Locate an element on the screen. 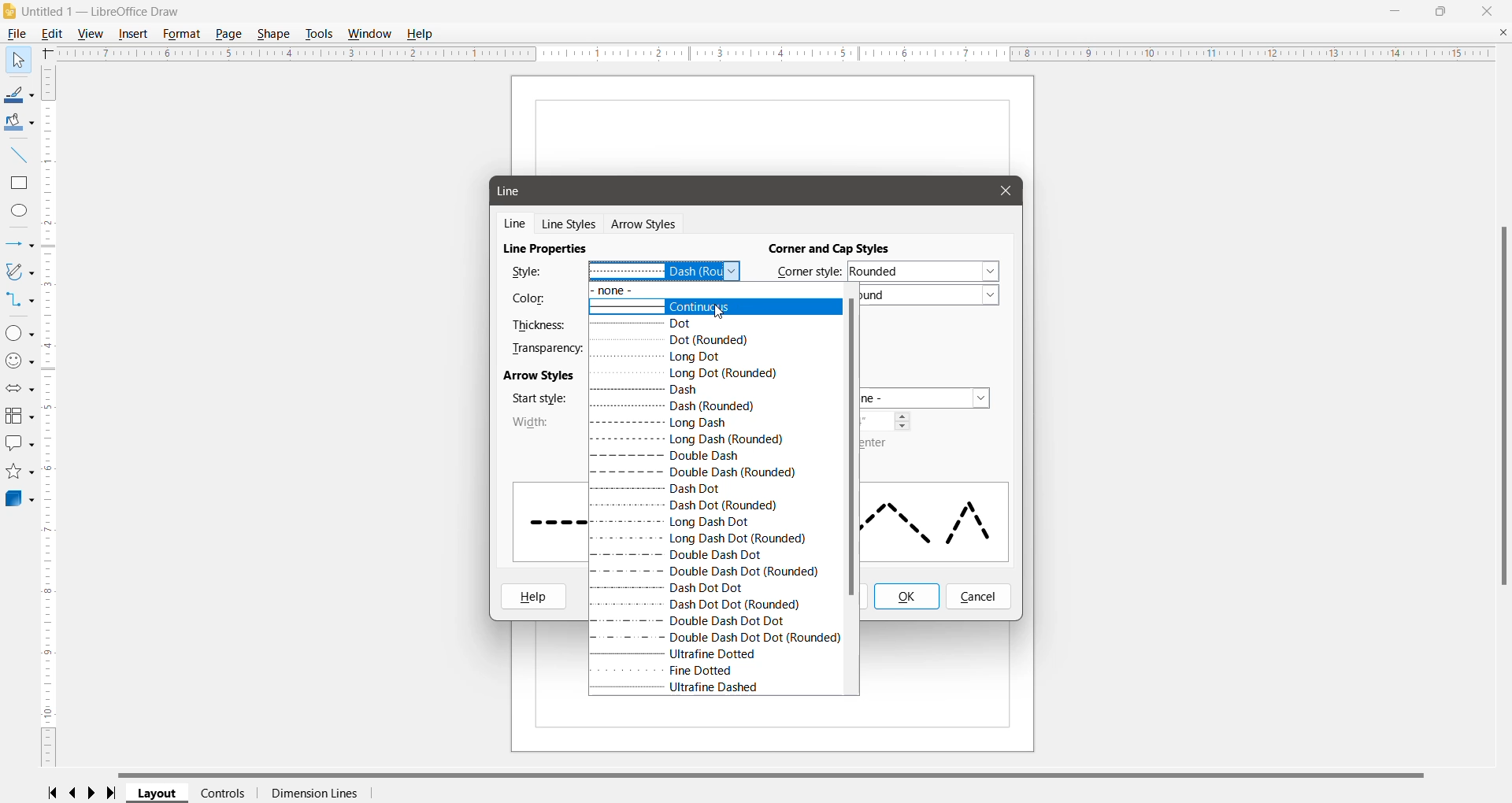 The width and height of the screenshot is (1512, 803). View is located at coordinates (92, 34).